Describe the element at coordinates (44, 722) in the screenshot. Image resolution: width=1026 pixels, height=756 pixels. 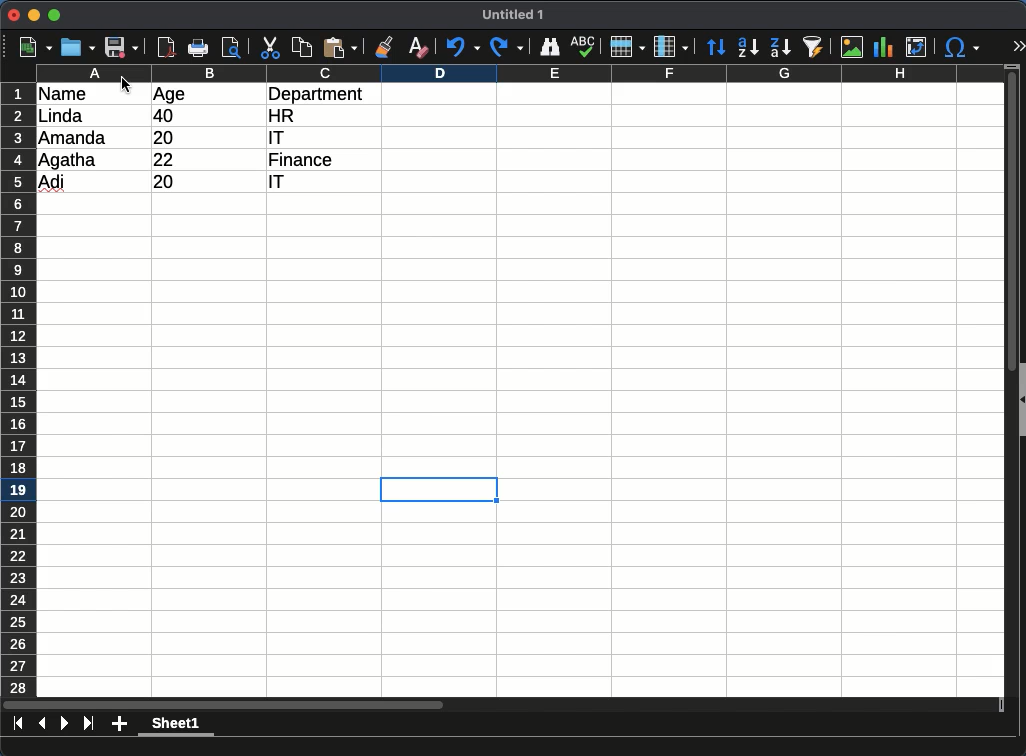
I see `previous sheet` at that location.